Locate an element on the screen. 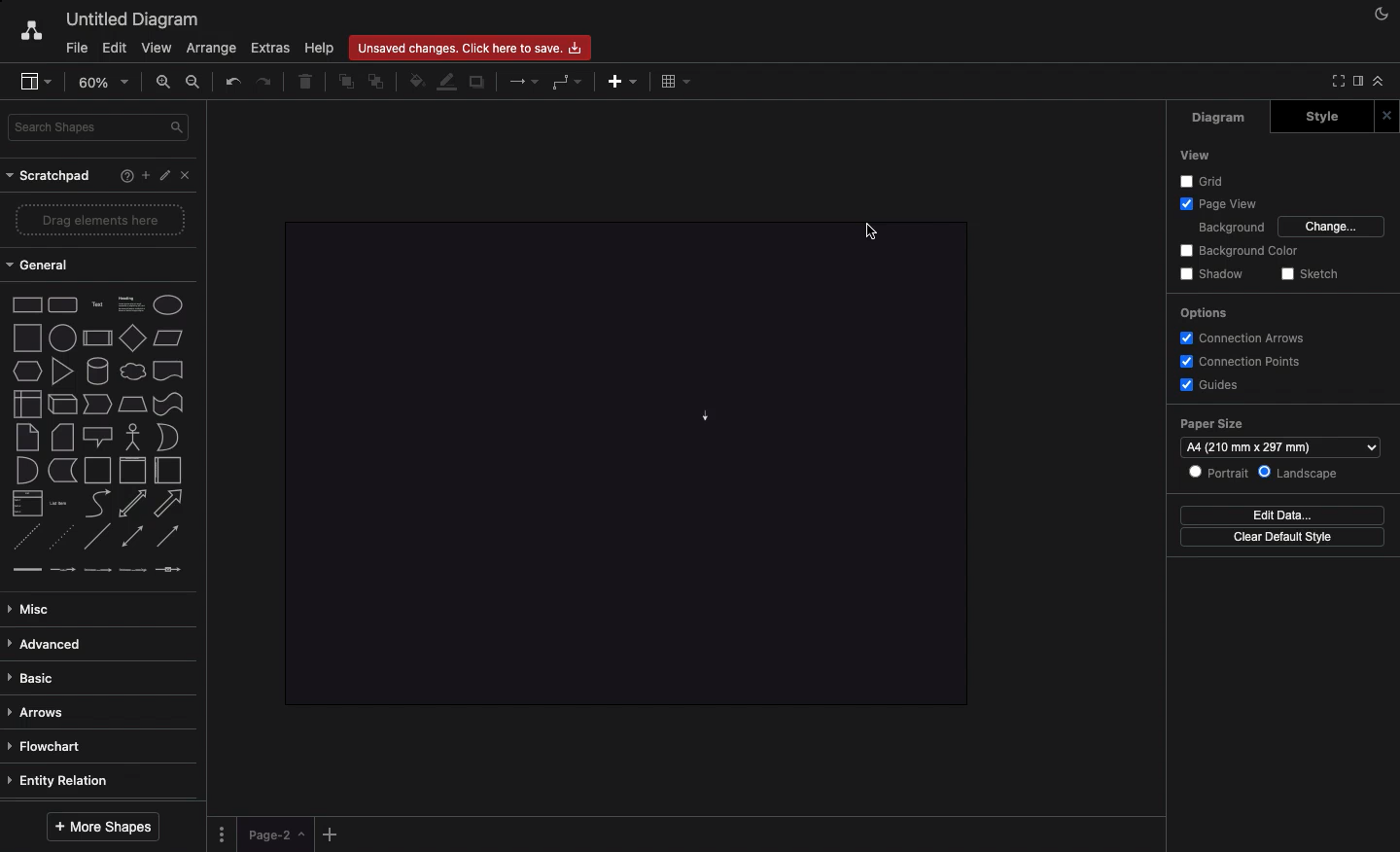 This screenshot has width=1400, height=852. Untitled is located at coordinates (128, 18).